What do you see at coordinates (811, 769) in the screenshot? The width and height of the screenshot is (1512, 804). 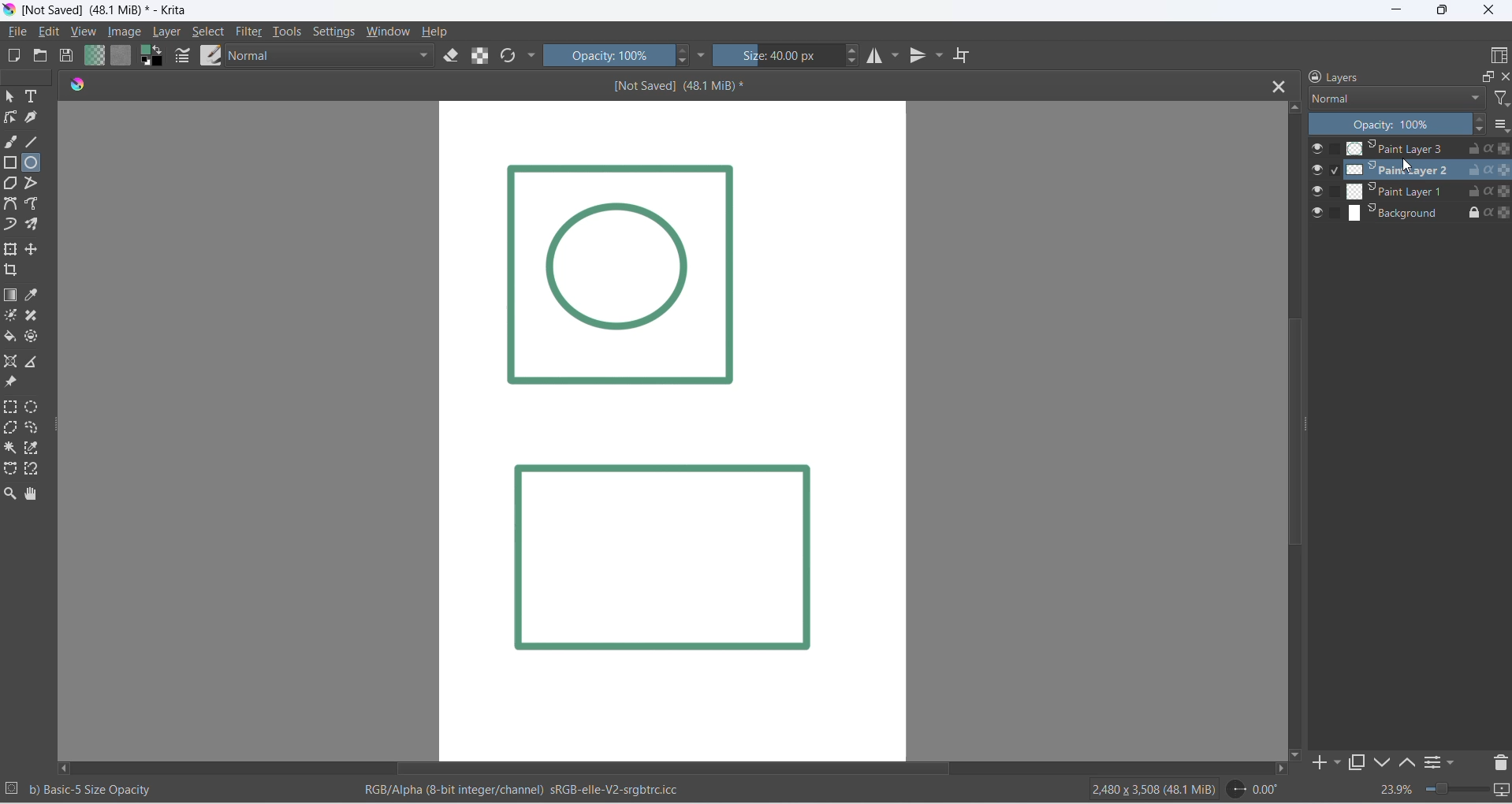 I see `scrollbar` at bounding box center [811, 769].